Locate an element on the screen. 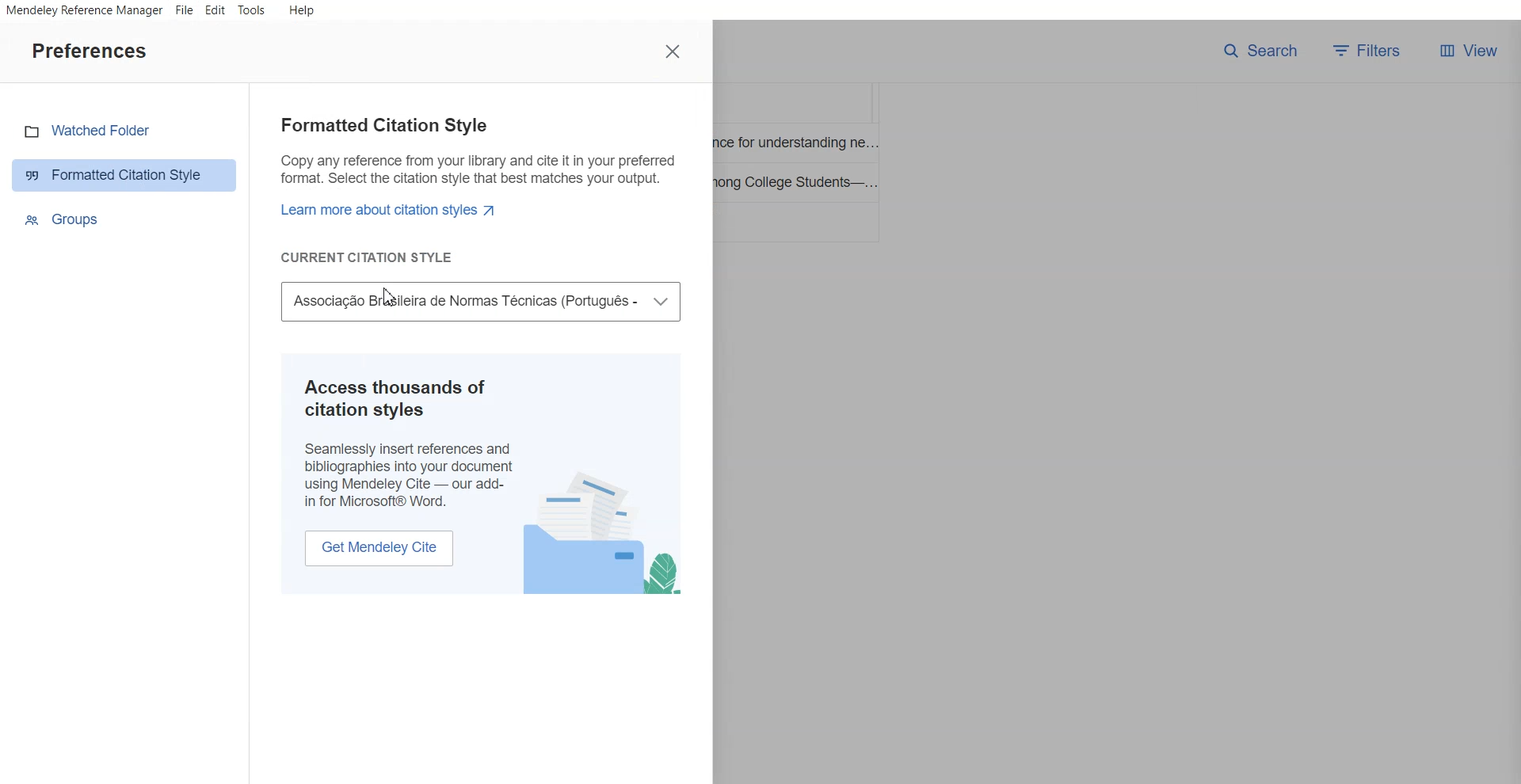 Image resolution: width=1521 pixels, height=784 pixels. Close is located at coordinates (674, 51).